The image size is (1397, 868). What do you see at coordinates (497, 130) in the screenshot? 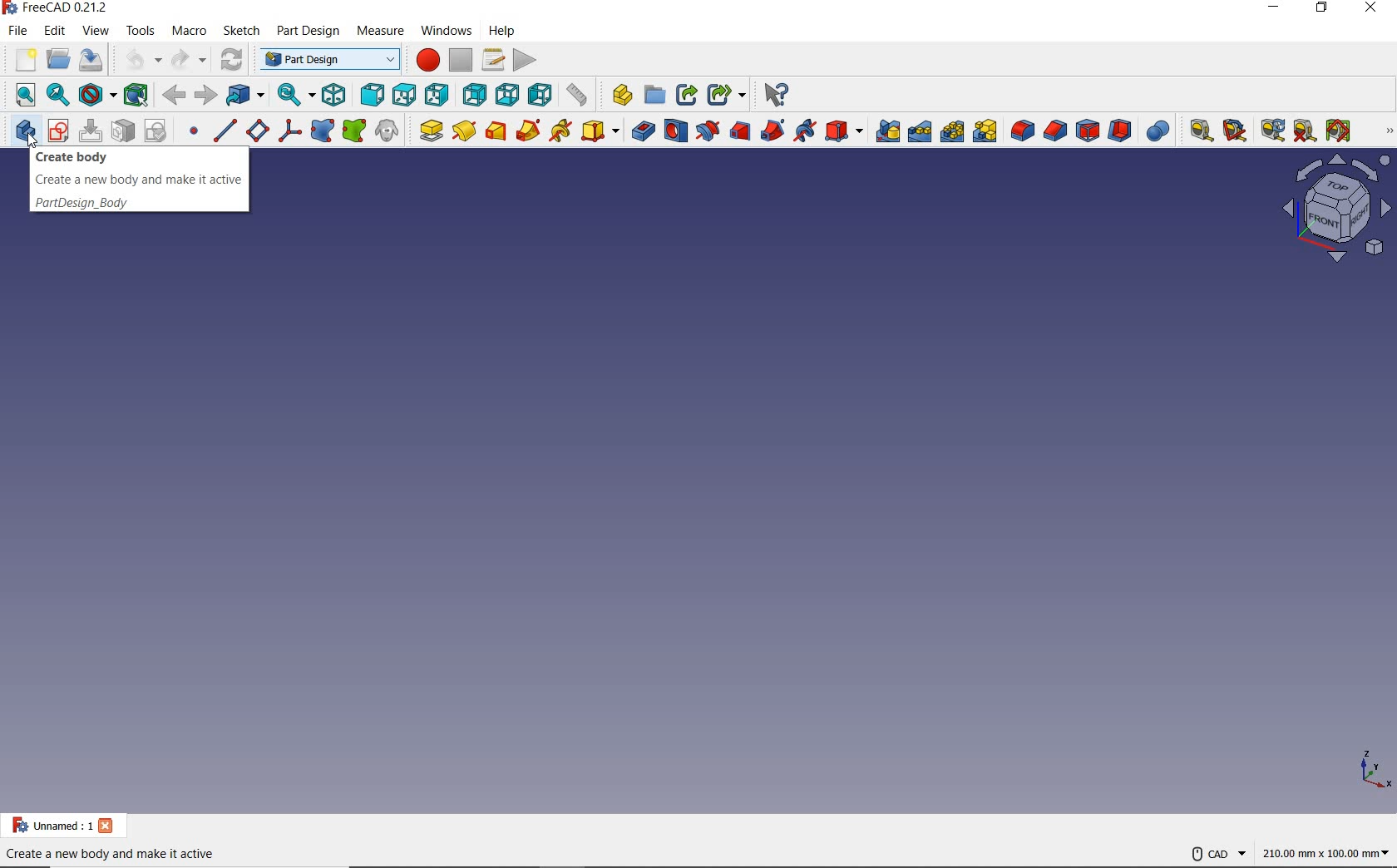
I see `ADDITIVE LOFT` at bounding box center [497, 130].